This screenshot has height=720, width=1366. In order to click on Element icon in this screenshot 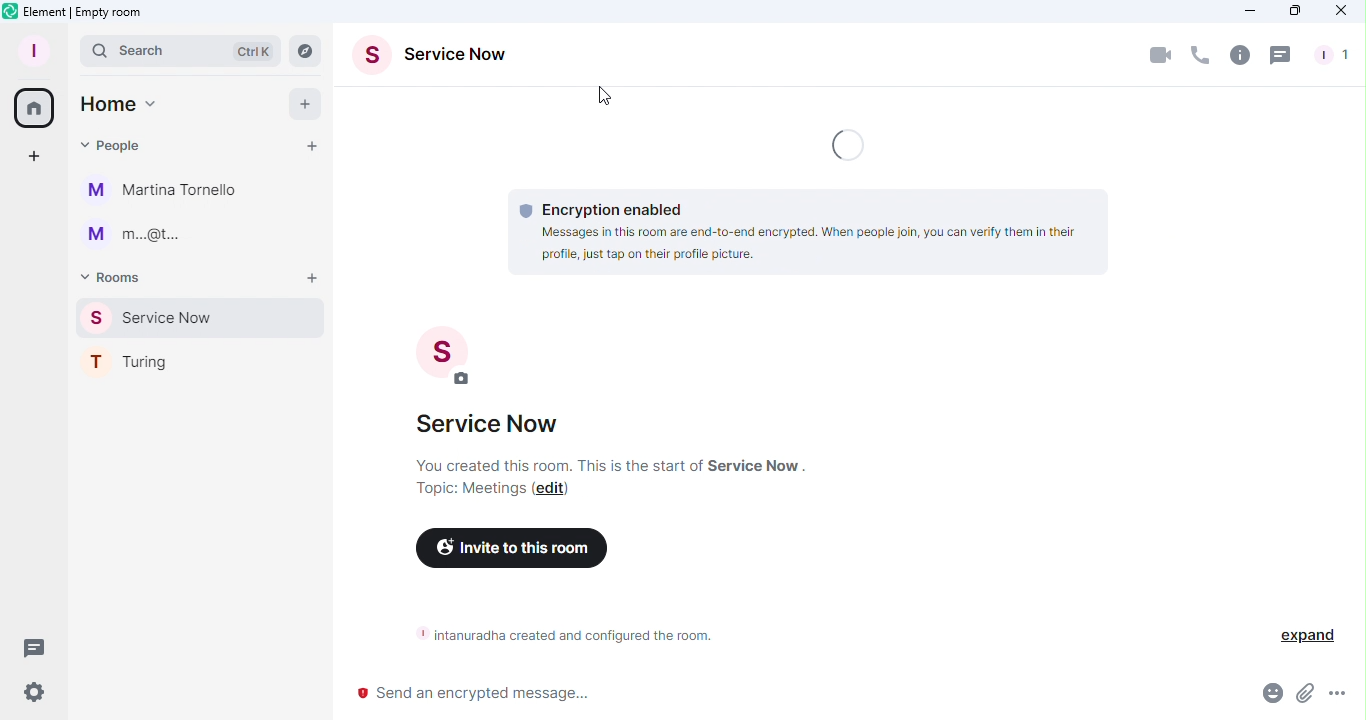, I will do `click(74, 12)`.